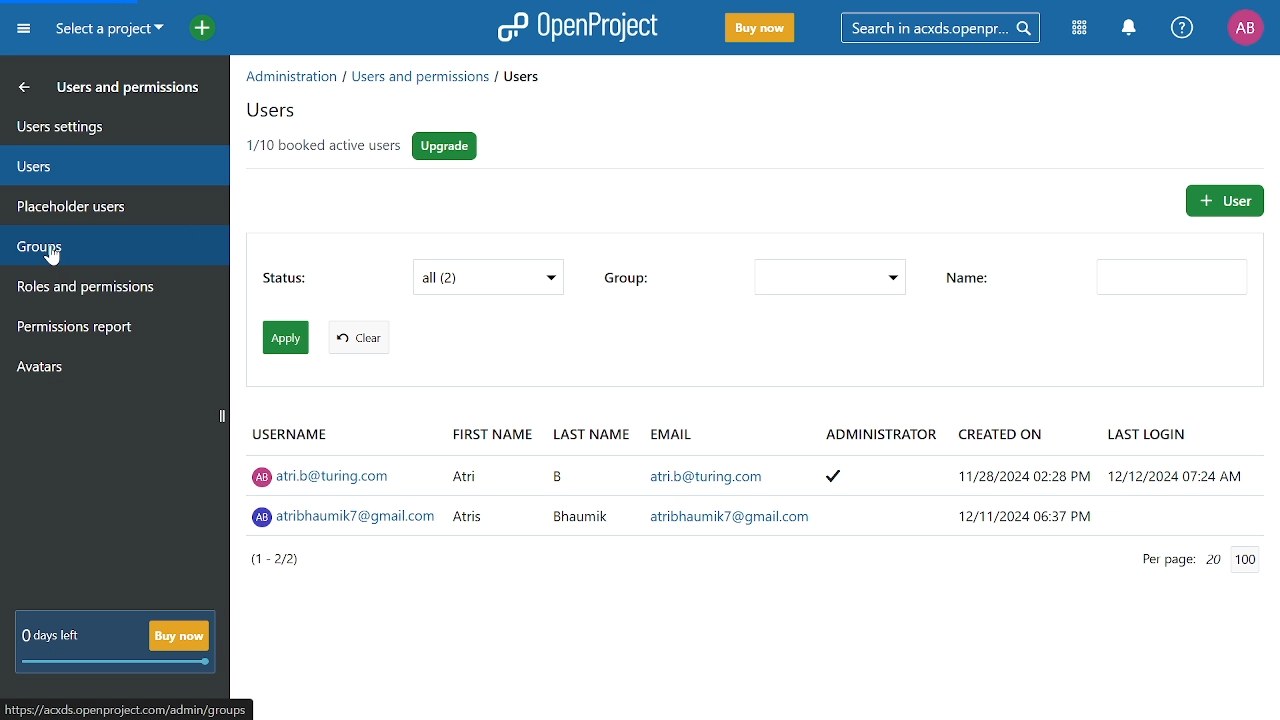 This screenshot has width=1280, height=720. What do you see at coordinates (107, 329) in the screenshot?
I see `permission report` at bounding box center [107, 329].